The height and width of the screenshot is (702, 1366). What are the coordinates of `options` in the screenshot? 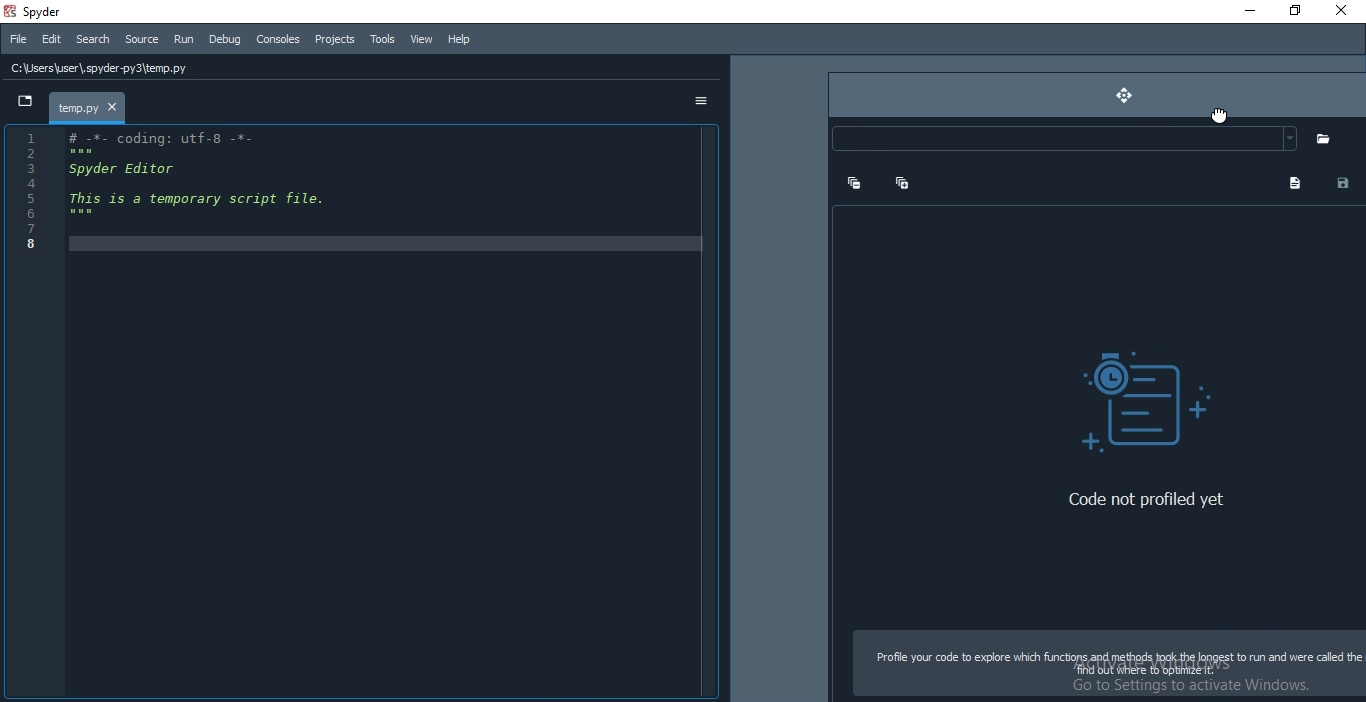 It's located at (697, 103).